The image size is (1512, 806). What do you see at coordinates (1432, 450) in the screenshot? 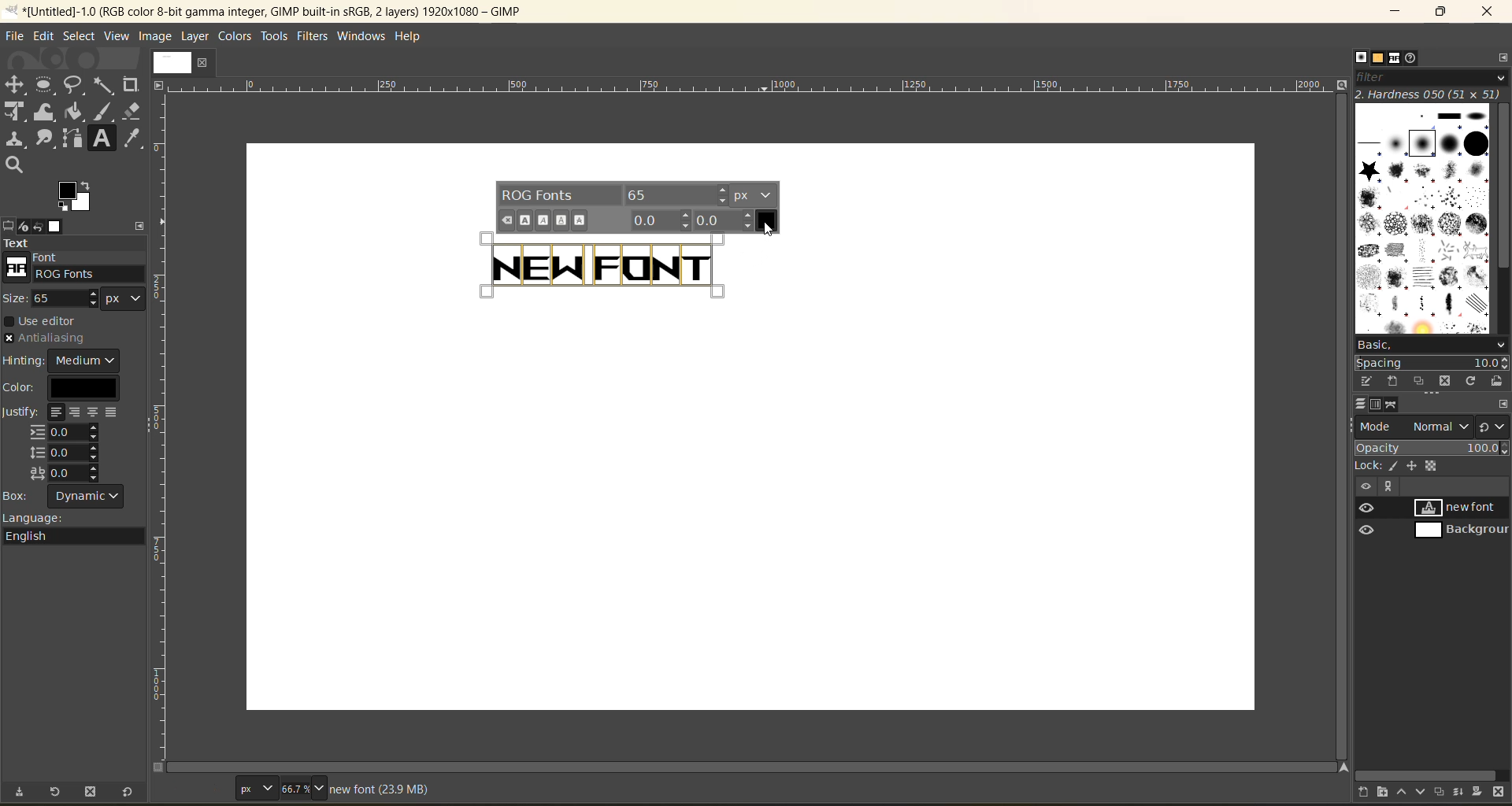
I see `opacity` at bounding box center [1432, 450].